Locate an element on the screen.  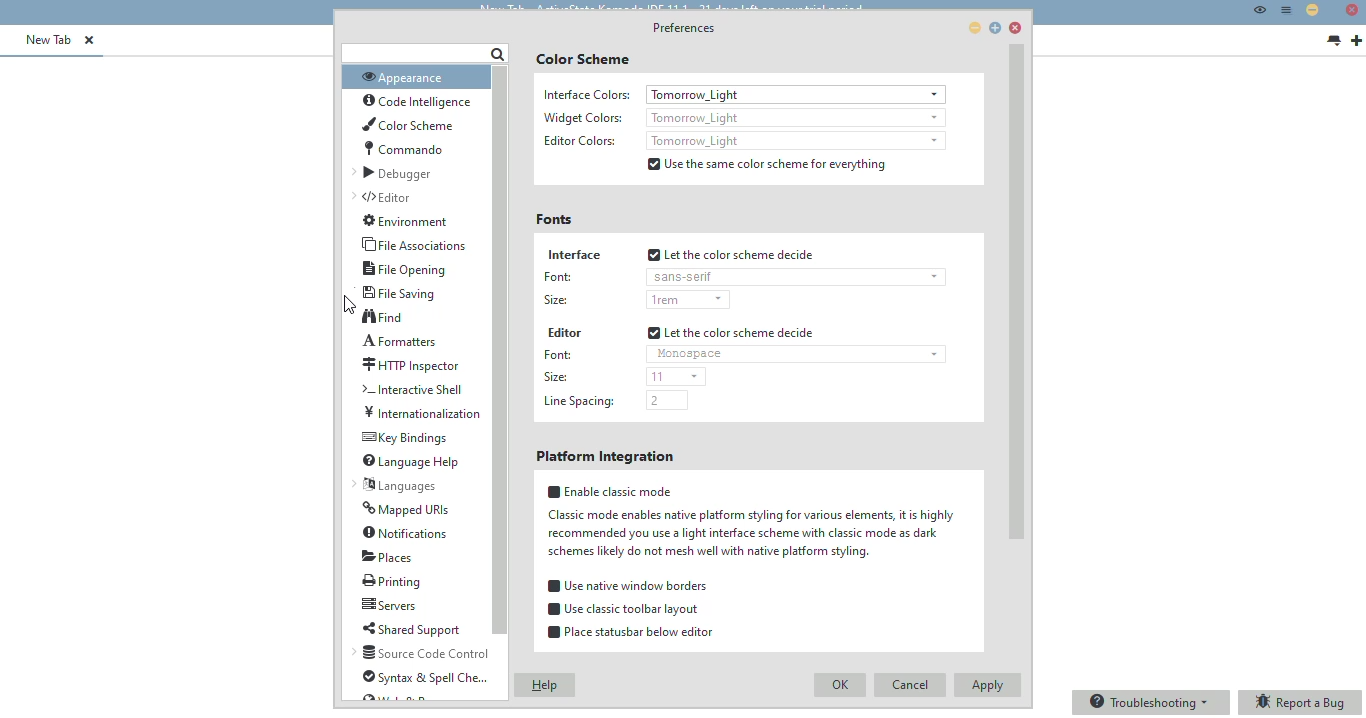
let the color scheme decide is located at coordinates (732, 254).